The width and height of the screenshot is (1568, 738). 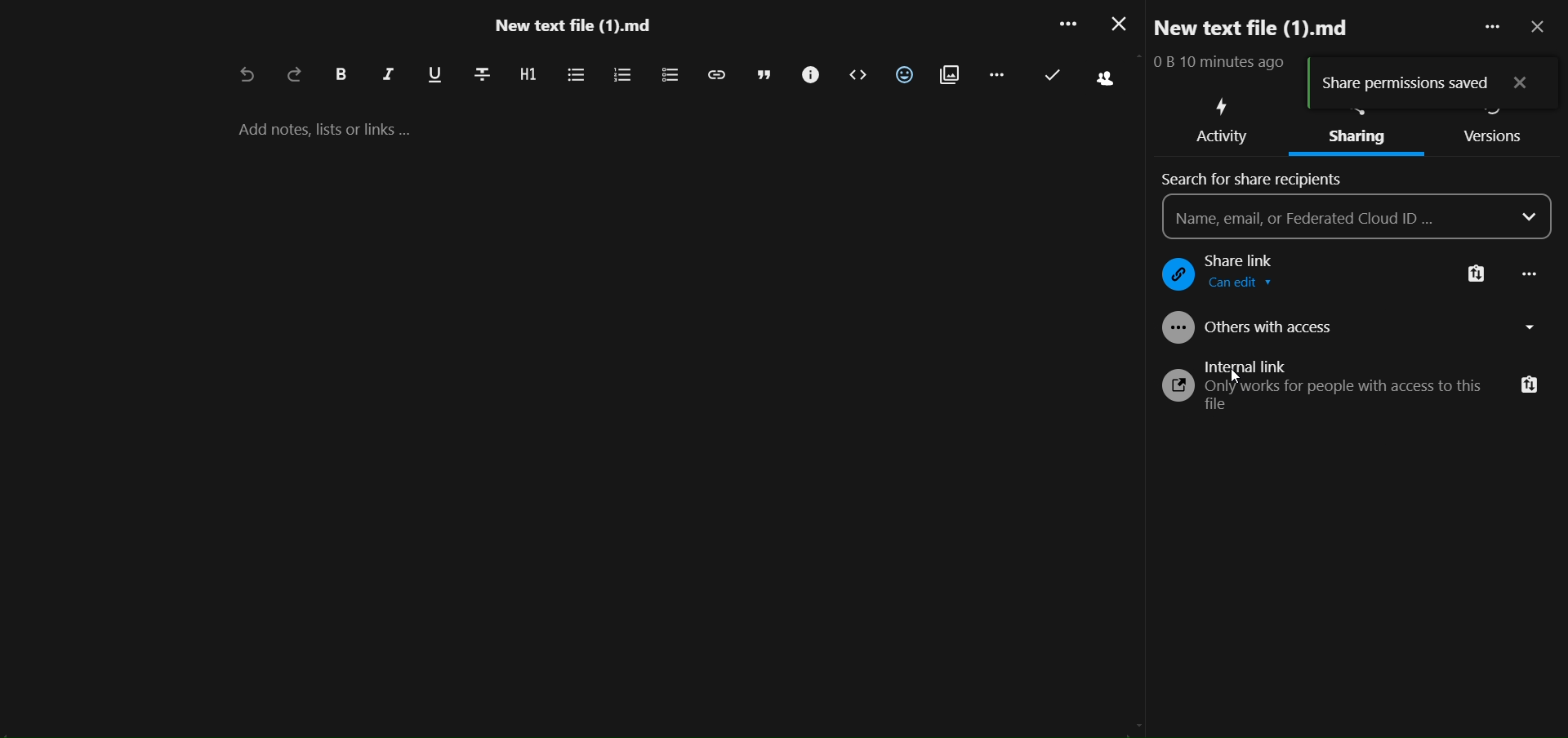 What do you see at coordinates (1102, 81) in the screenshot?
I see `active people` at bounding box center [1102, 81].